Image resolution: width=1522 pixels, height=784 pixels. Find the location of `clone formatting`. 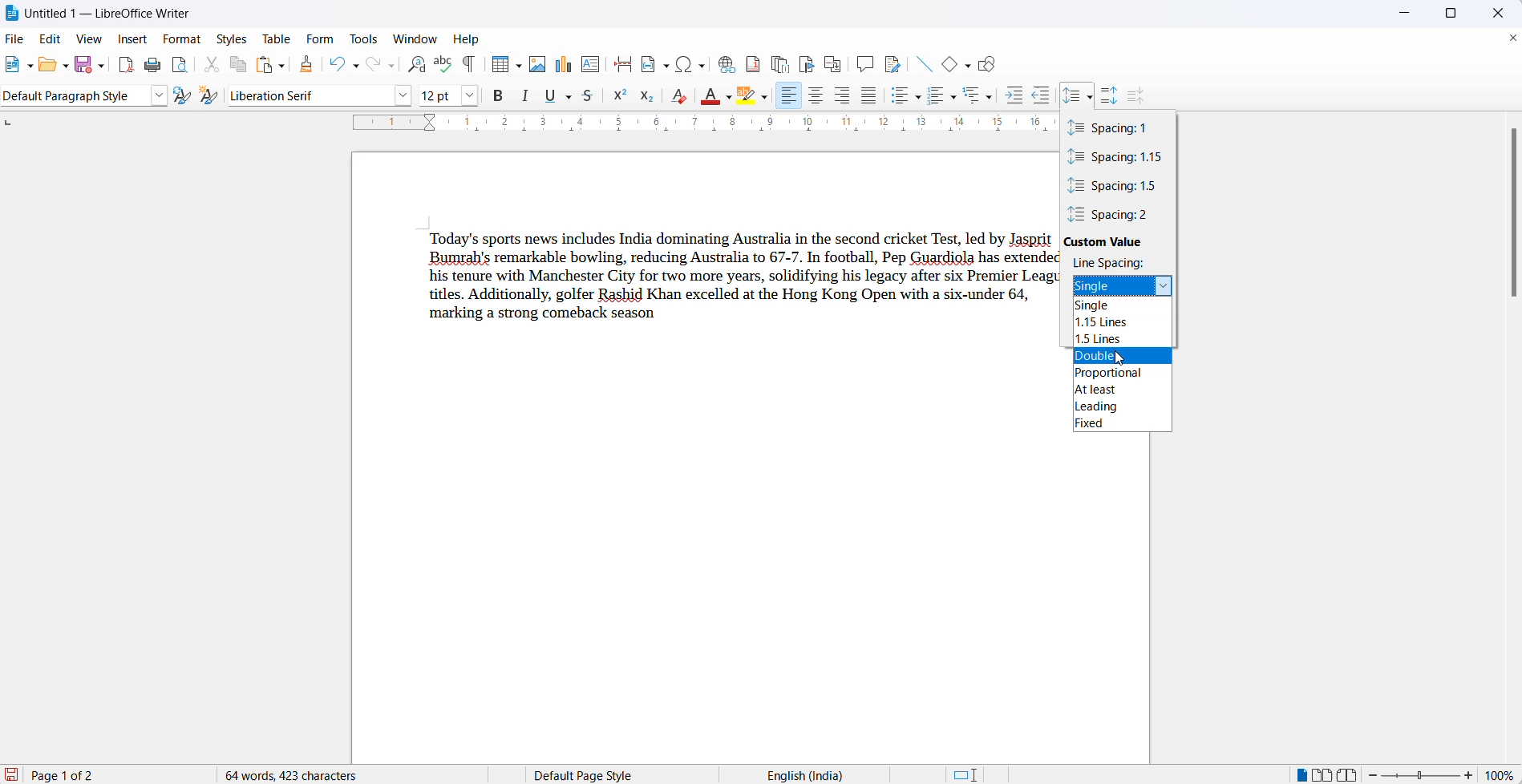

clone formatting is located at coordinates (310, 66).